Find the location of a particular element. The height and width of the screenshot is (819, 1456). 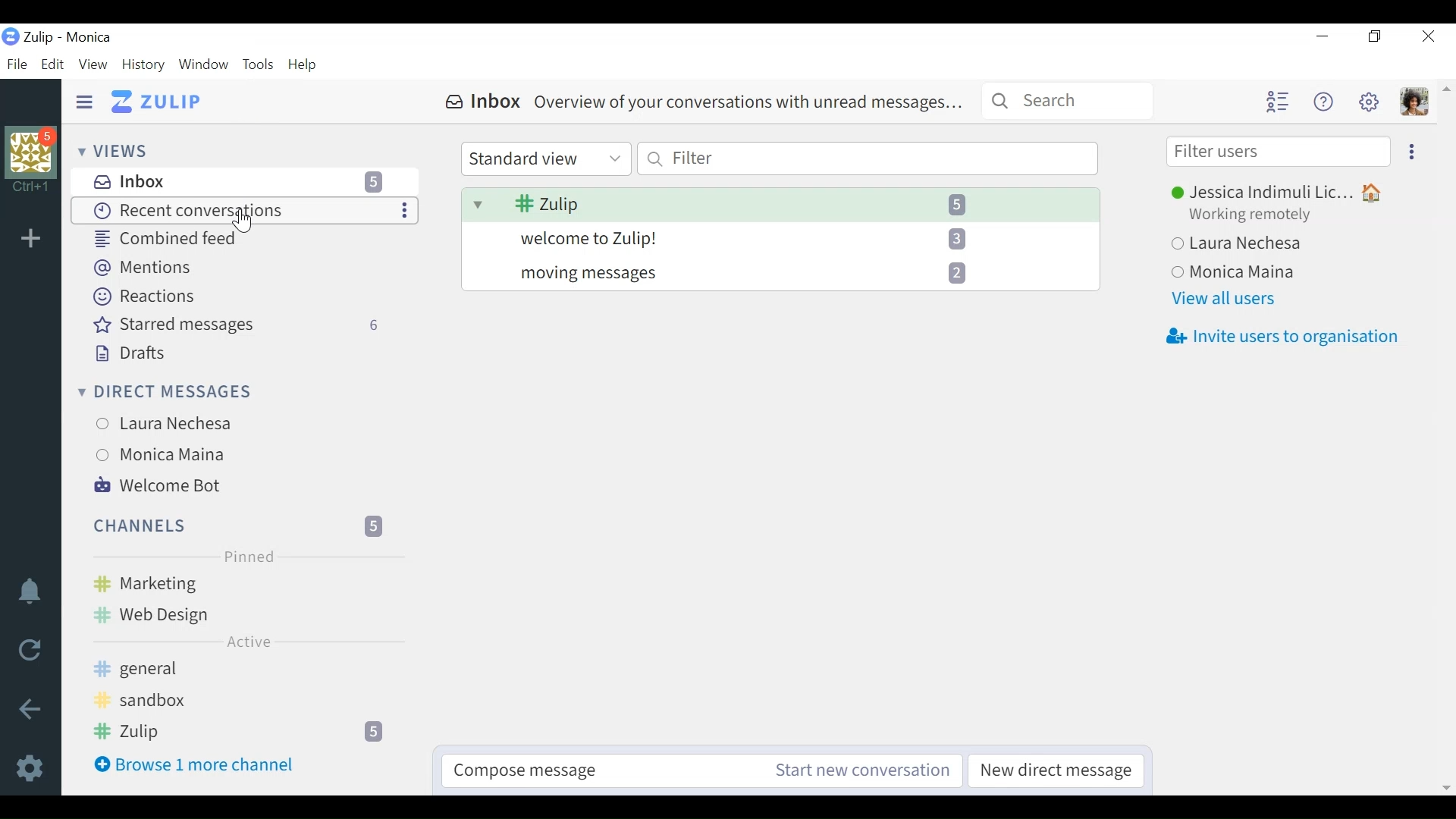

Monica Maina is located at coordinates (179, 453).